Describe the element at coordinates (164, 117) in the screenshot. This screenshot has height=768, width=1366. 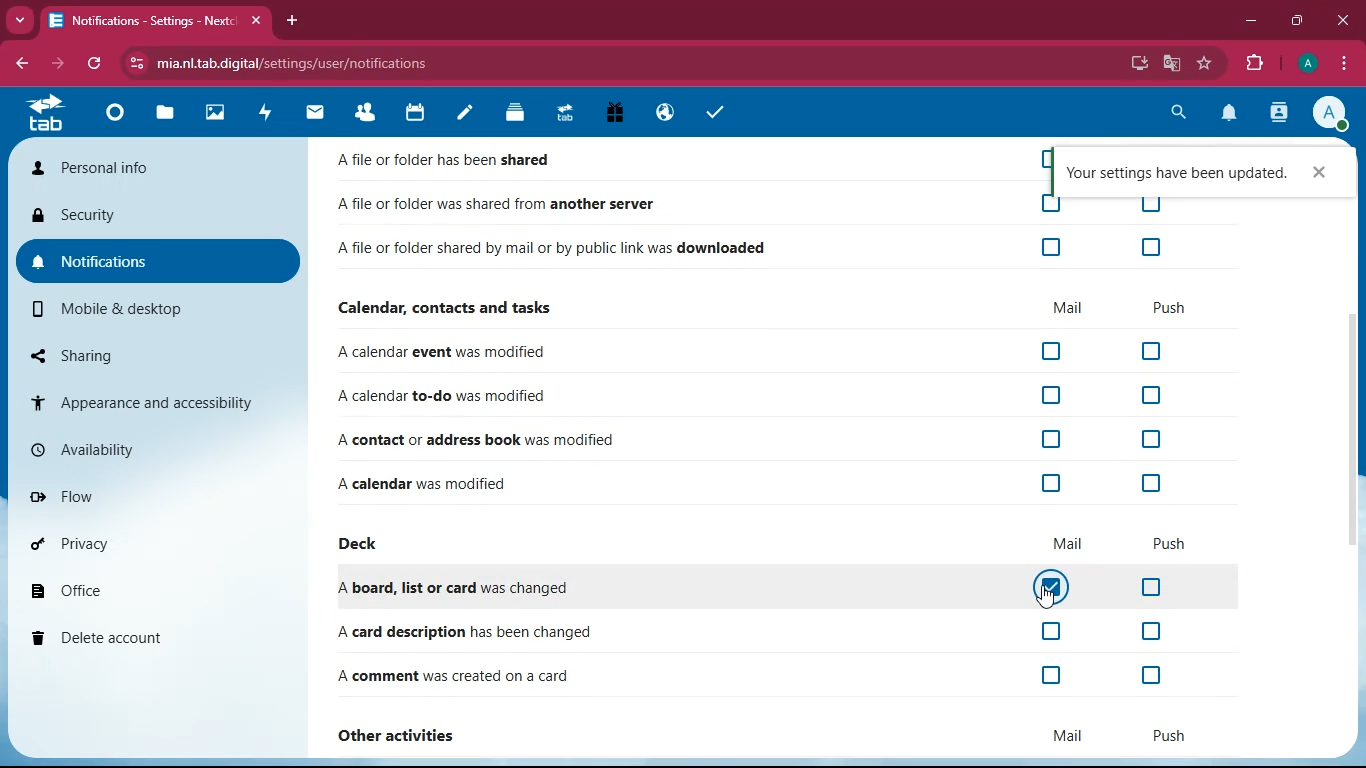
I see `files` at that location.